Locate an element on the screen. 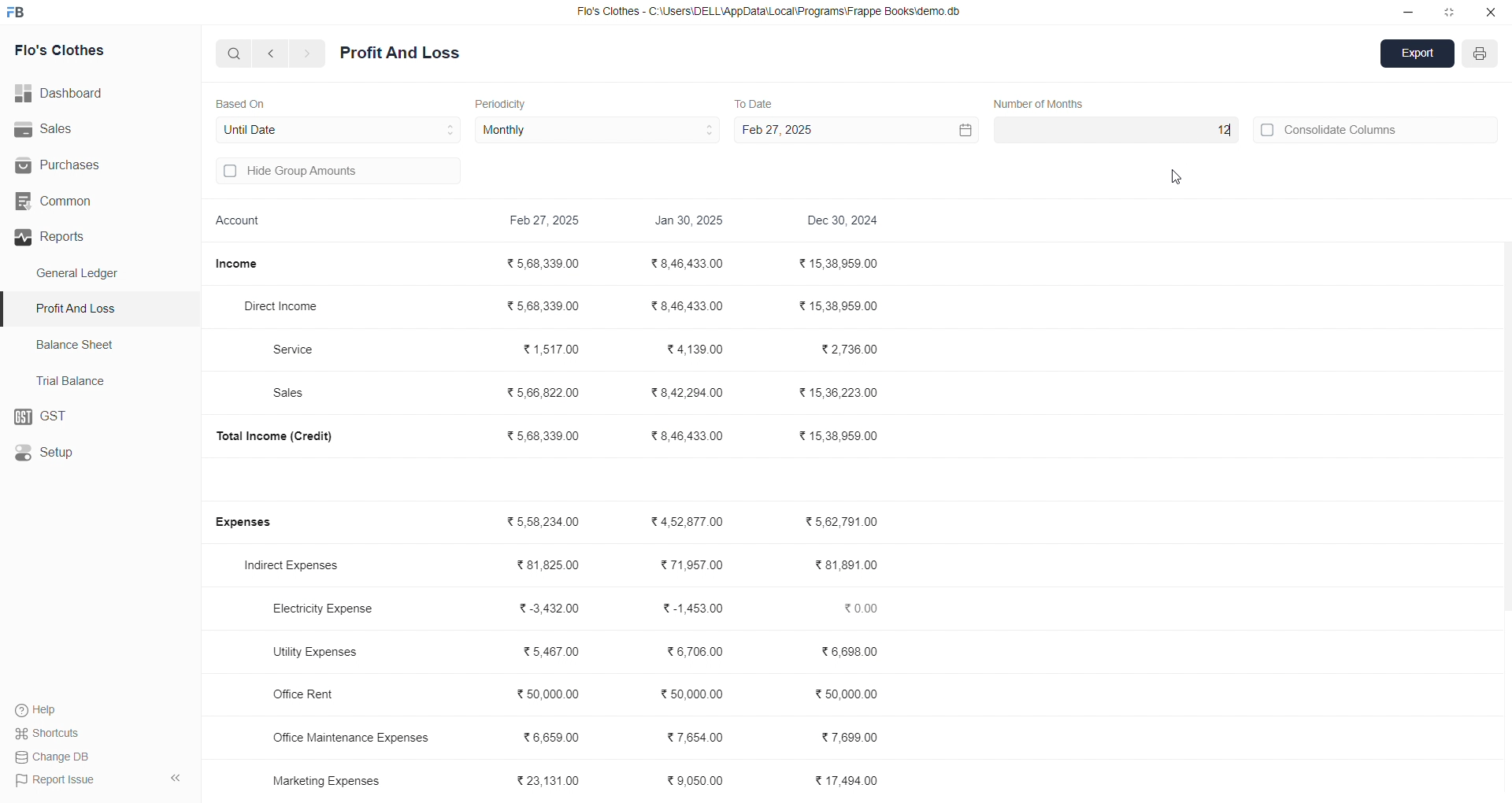 This screenshot has width=1512, height=803. Periodicity is located at coordinates (504, 102).